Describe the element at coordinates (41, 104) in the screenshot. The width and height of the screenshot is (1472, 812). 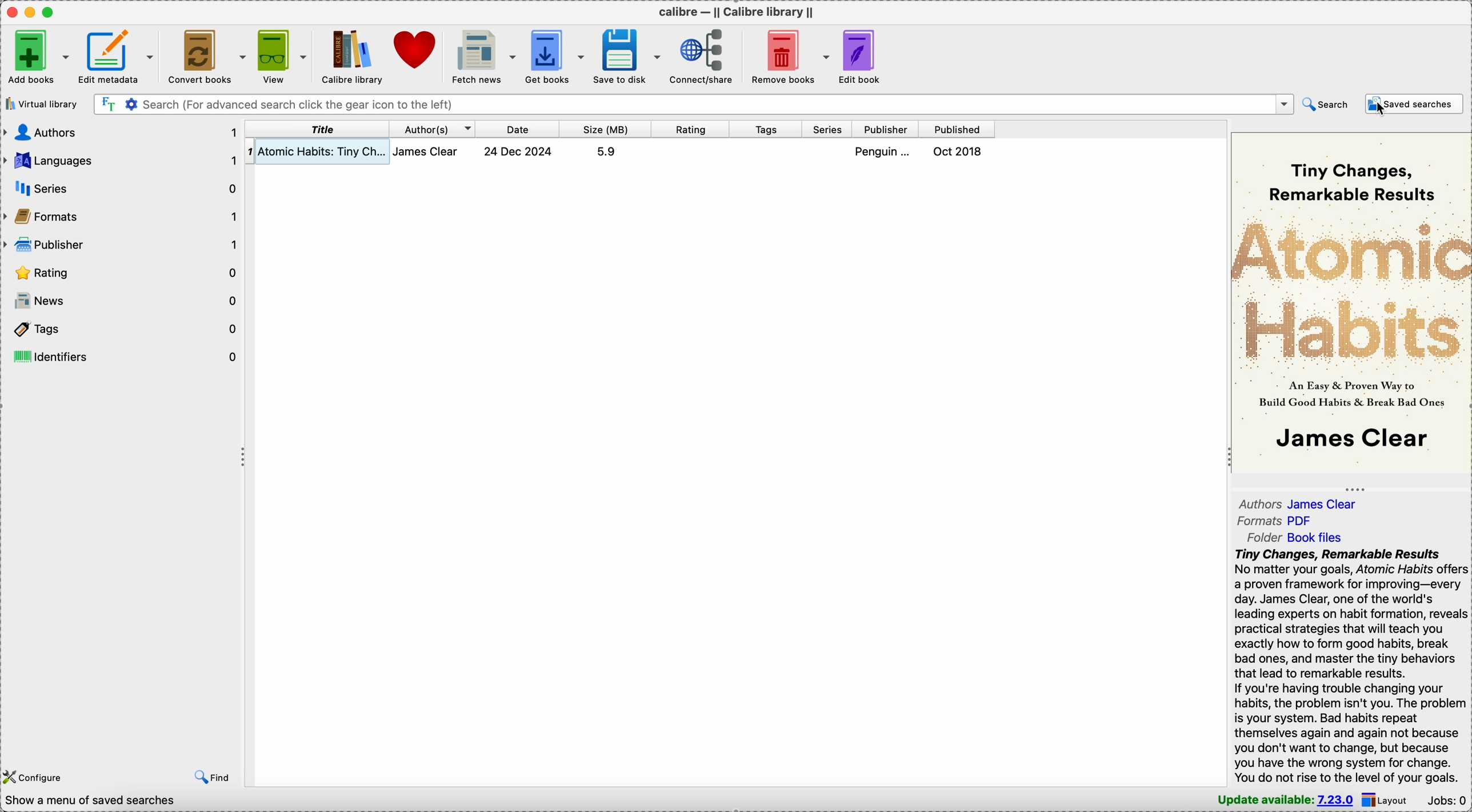
I see `virtual library` at that location.